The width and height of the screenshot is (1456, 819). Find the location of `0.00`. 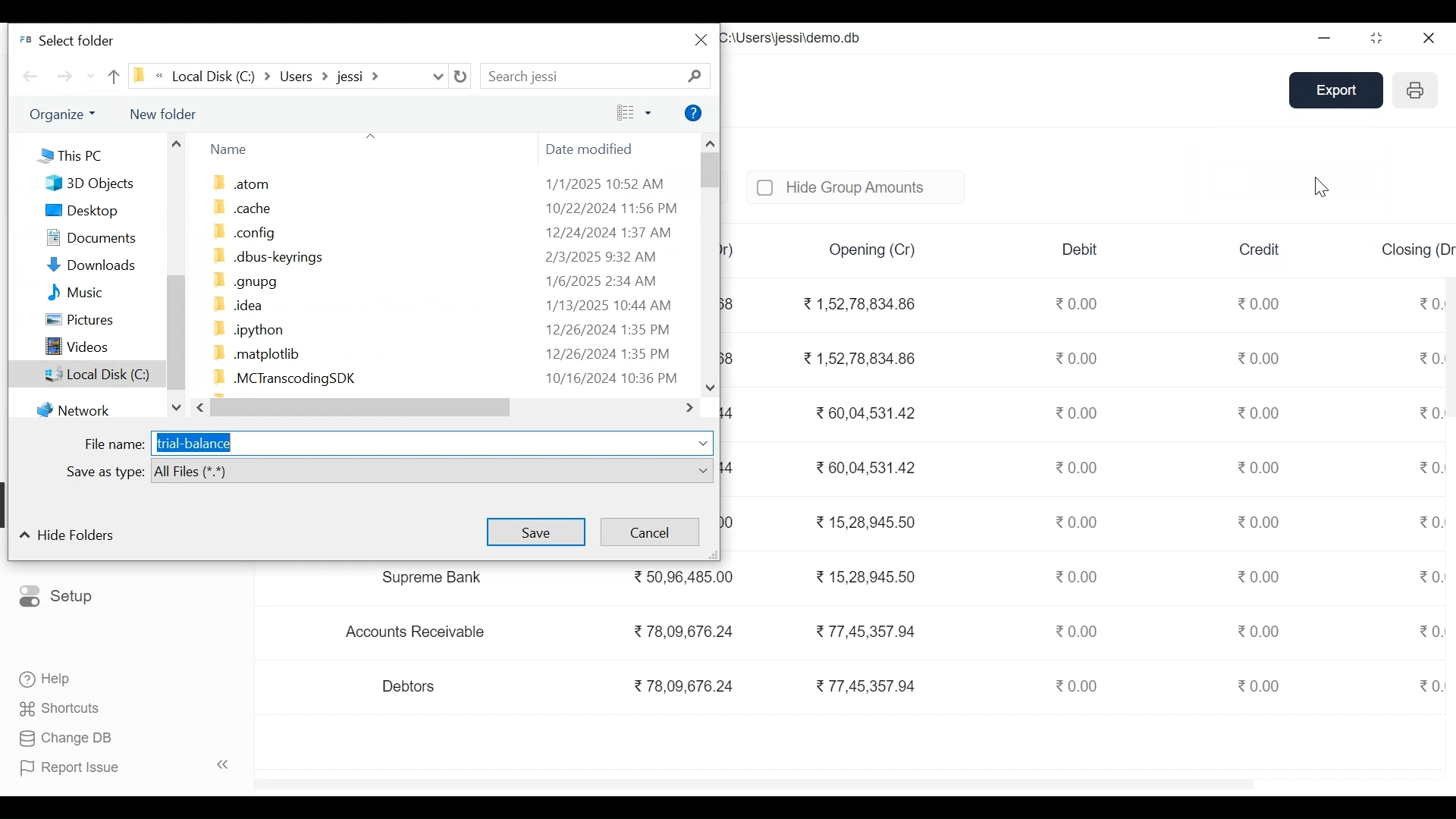

0.00 is located at coordinates (1074, 413).